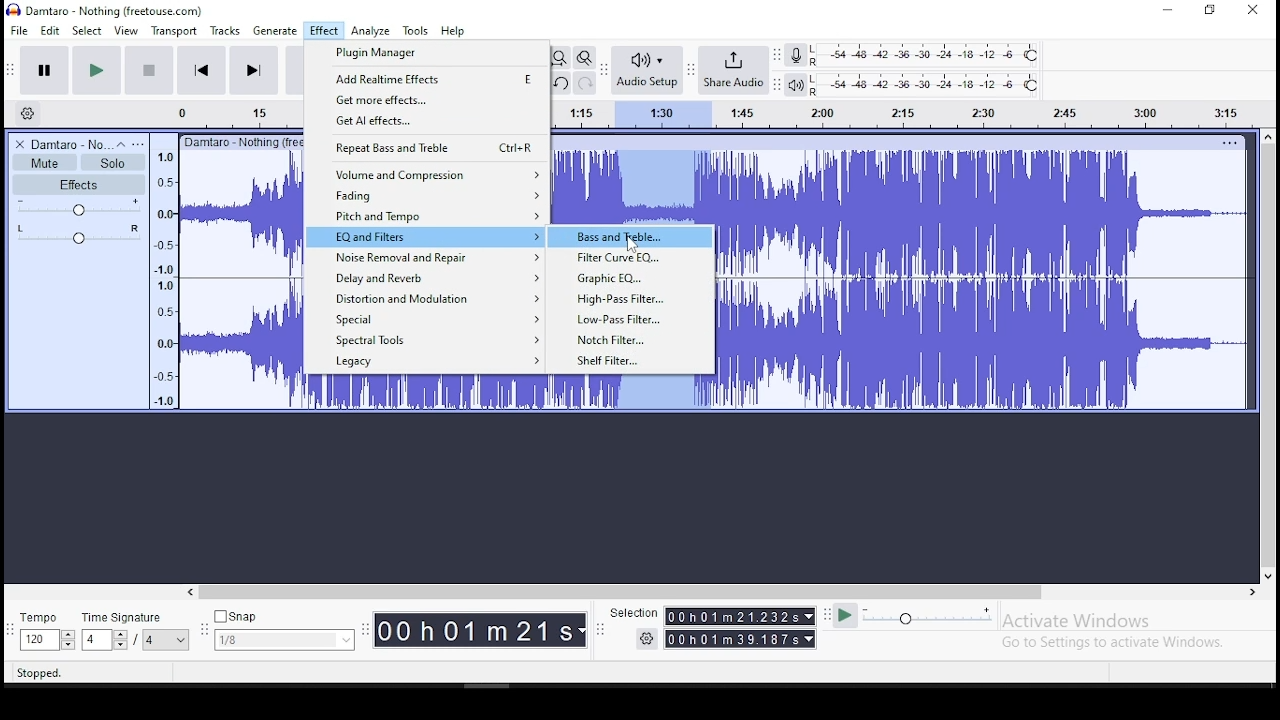  What do you see at coordinates (1267, 573) in the screenshot?
I see `down` at bounding box center [1267, 573].